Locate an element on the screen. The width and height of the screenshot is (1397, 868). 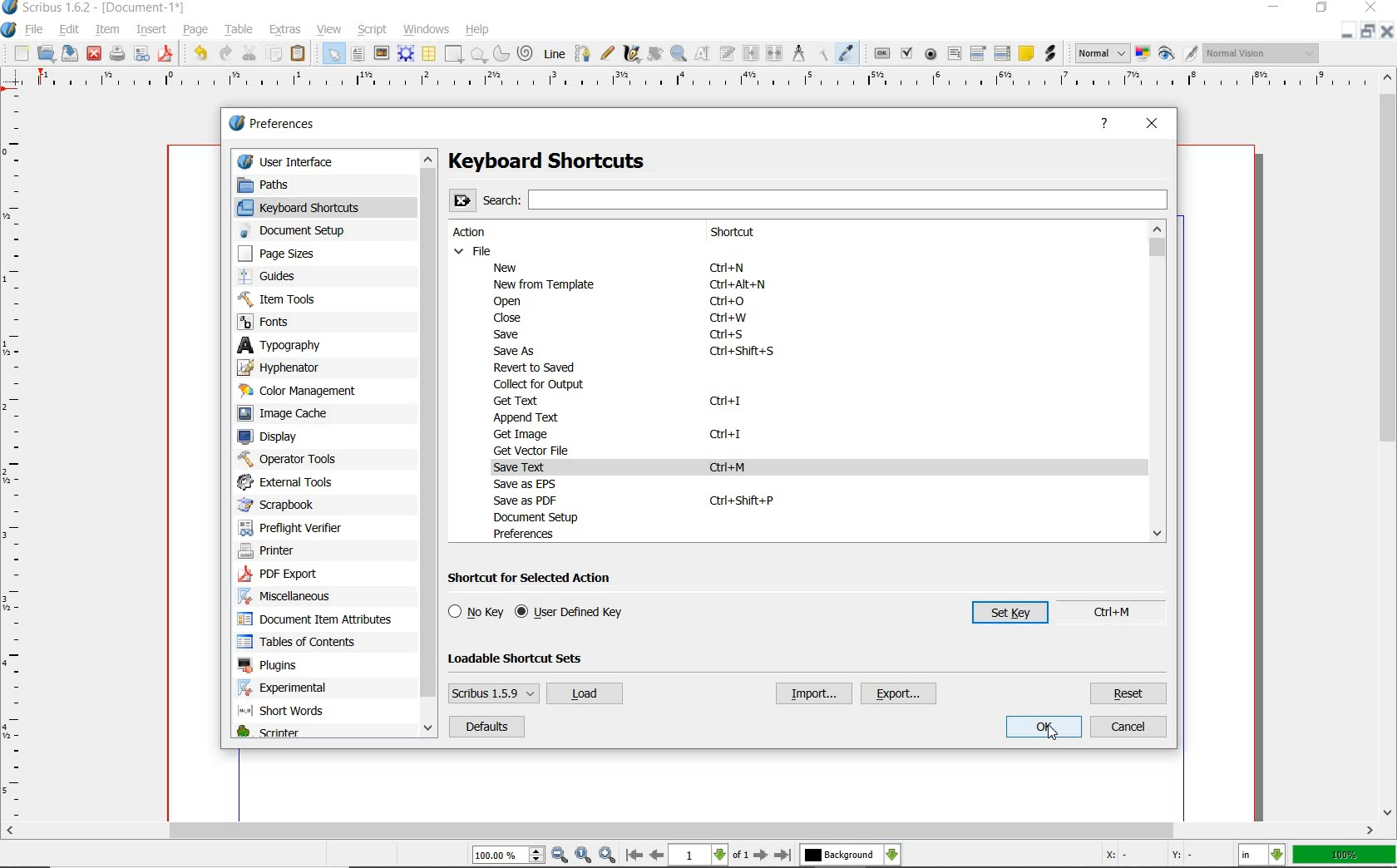
new is located at coordinates (511, 267).